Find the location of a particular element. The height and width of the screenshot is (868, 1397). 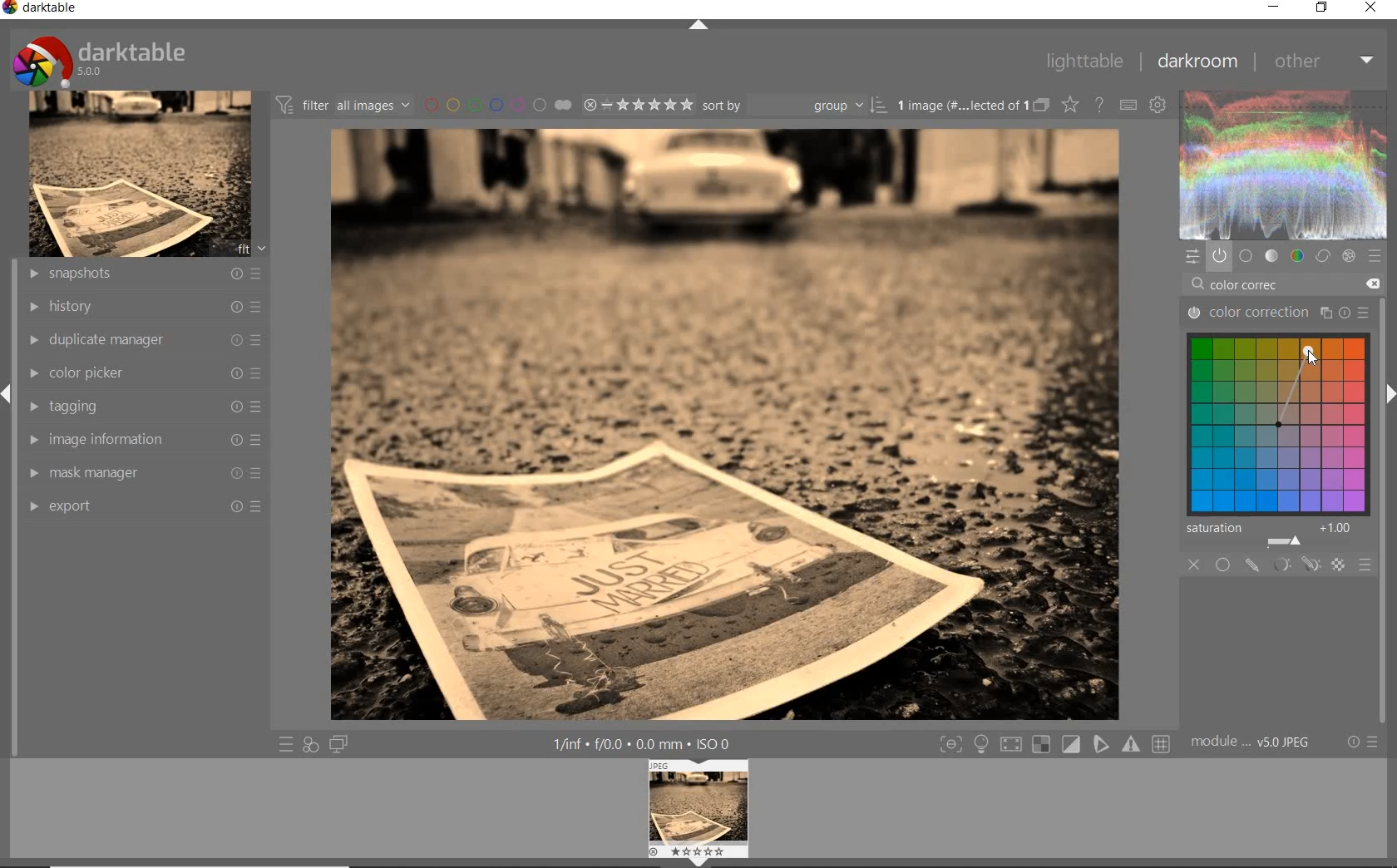

collapsed grouped images is located at coordinates (1042, 105).